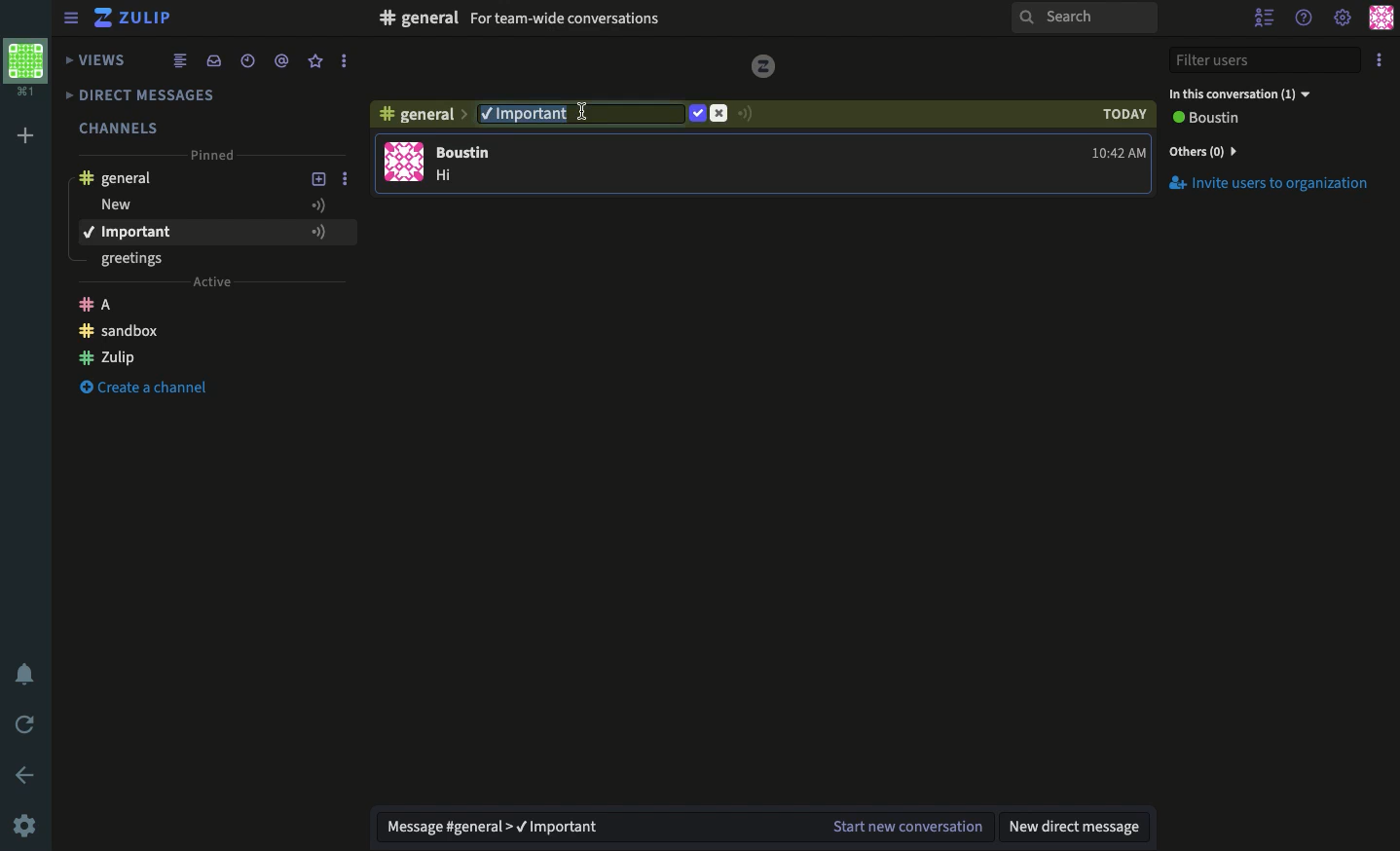 This screenshot has width=1400, height=851. I want to click on More Options, so click(352, 180).